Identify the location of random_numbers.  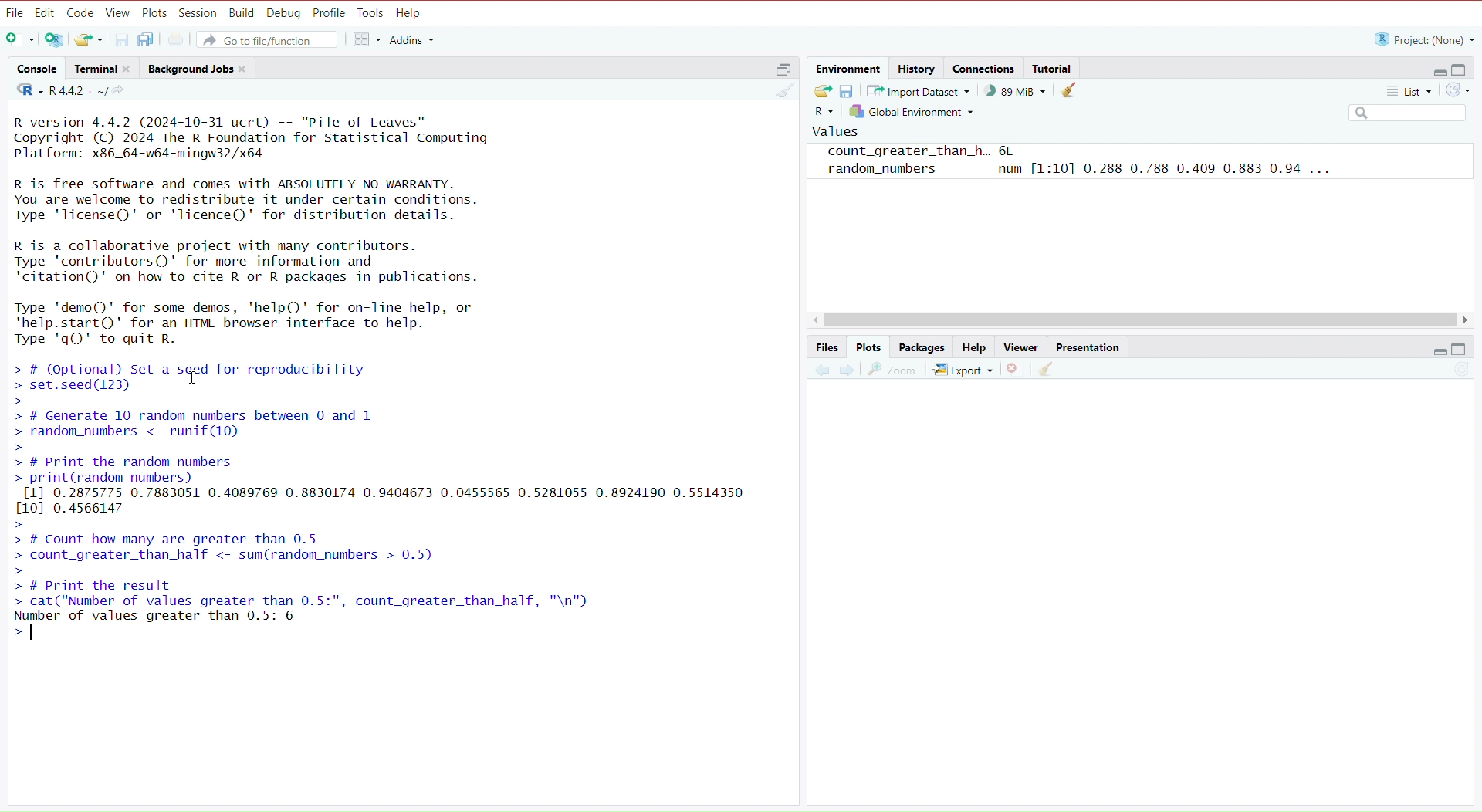
(883, 169).